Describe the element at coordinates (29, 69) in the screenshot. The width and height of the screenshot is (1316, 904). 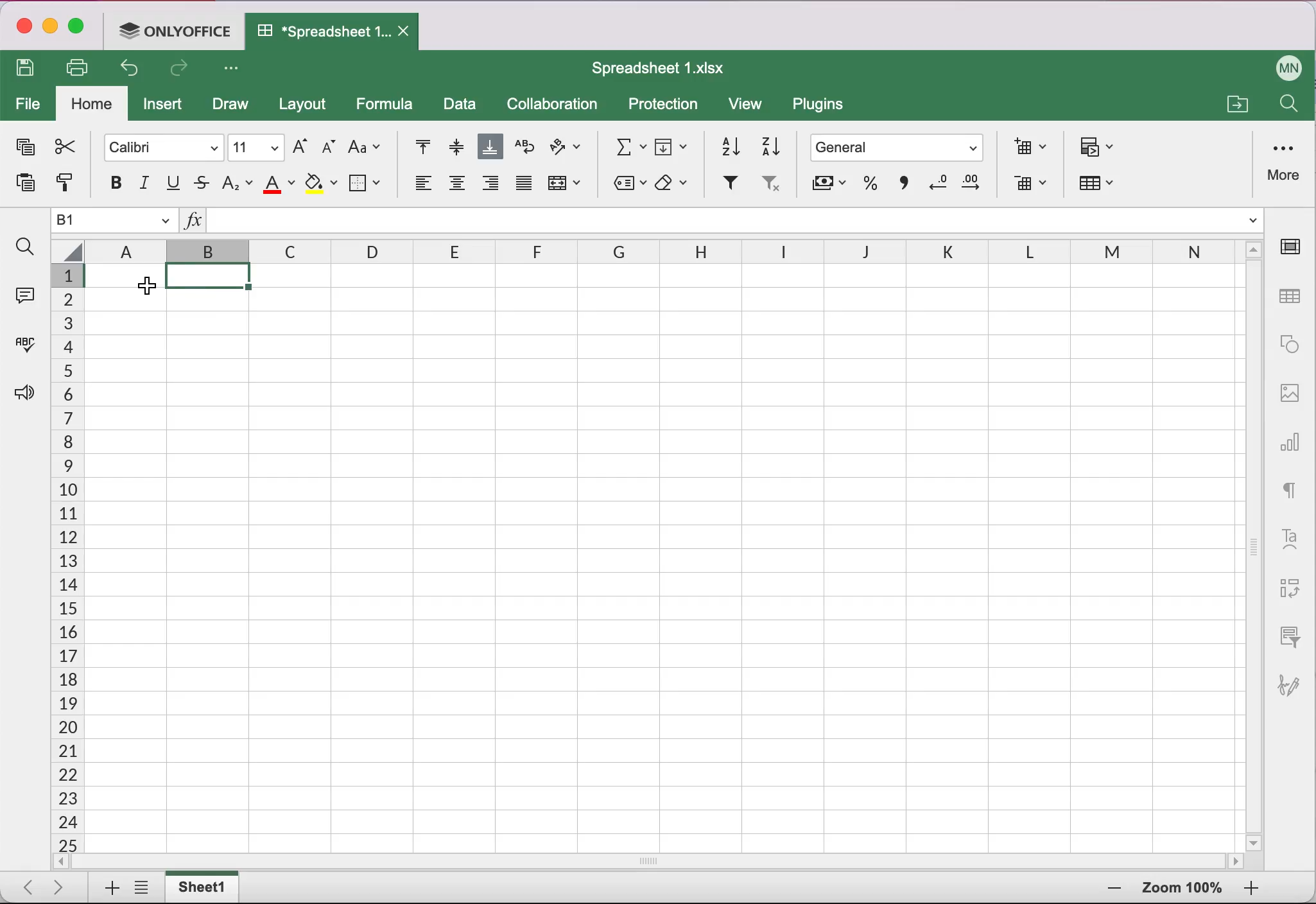
I see `save` at that location.